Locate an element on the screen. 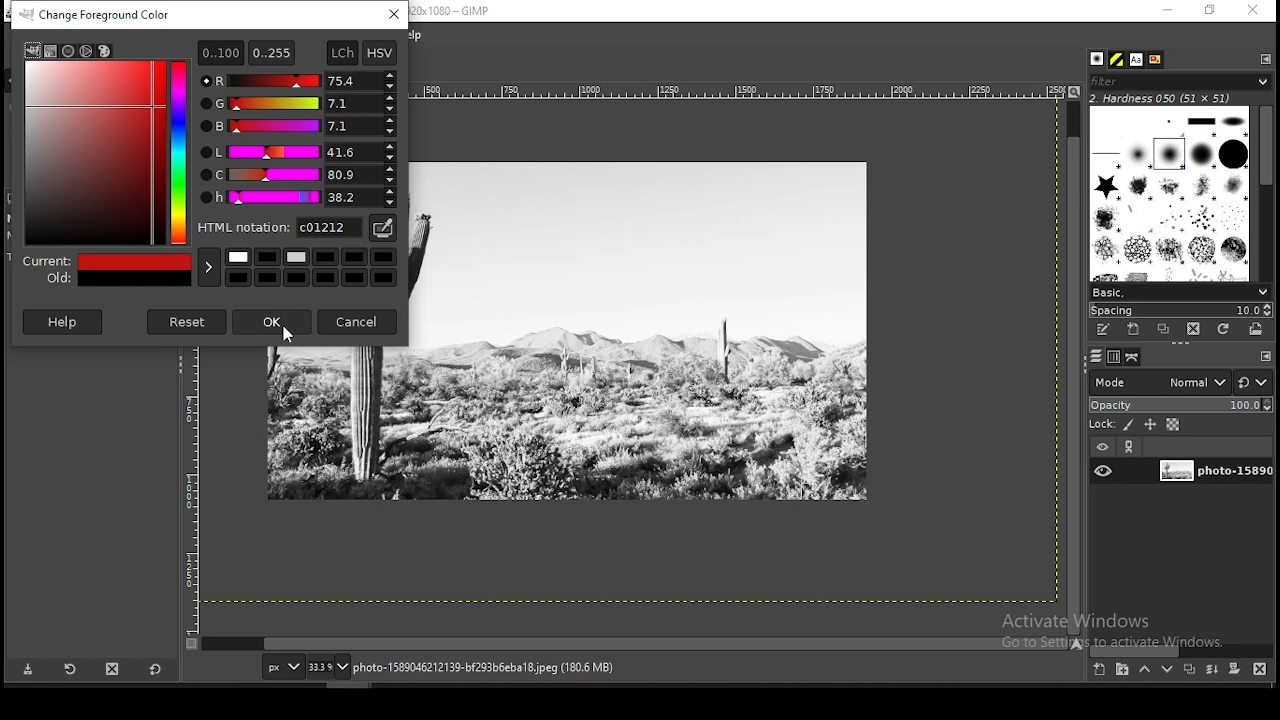  change foreground color is located at coordinates (96, 14).